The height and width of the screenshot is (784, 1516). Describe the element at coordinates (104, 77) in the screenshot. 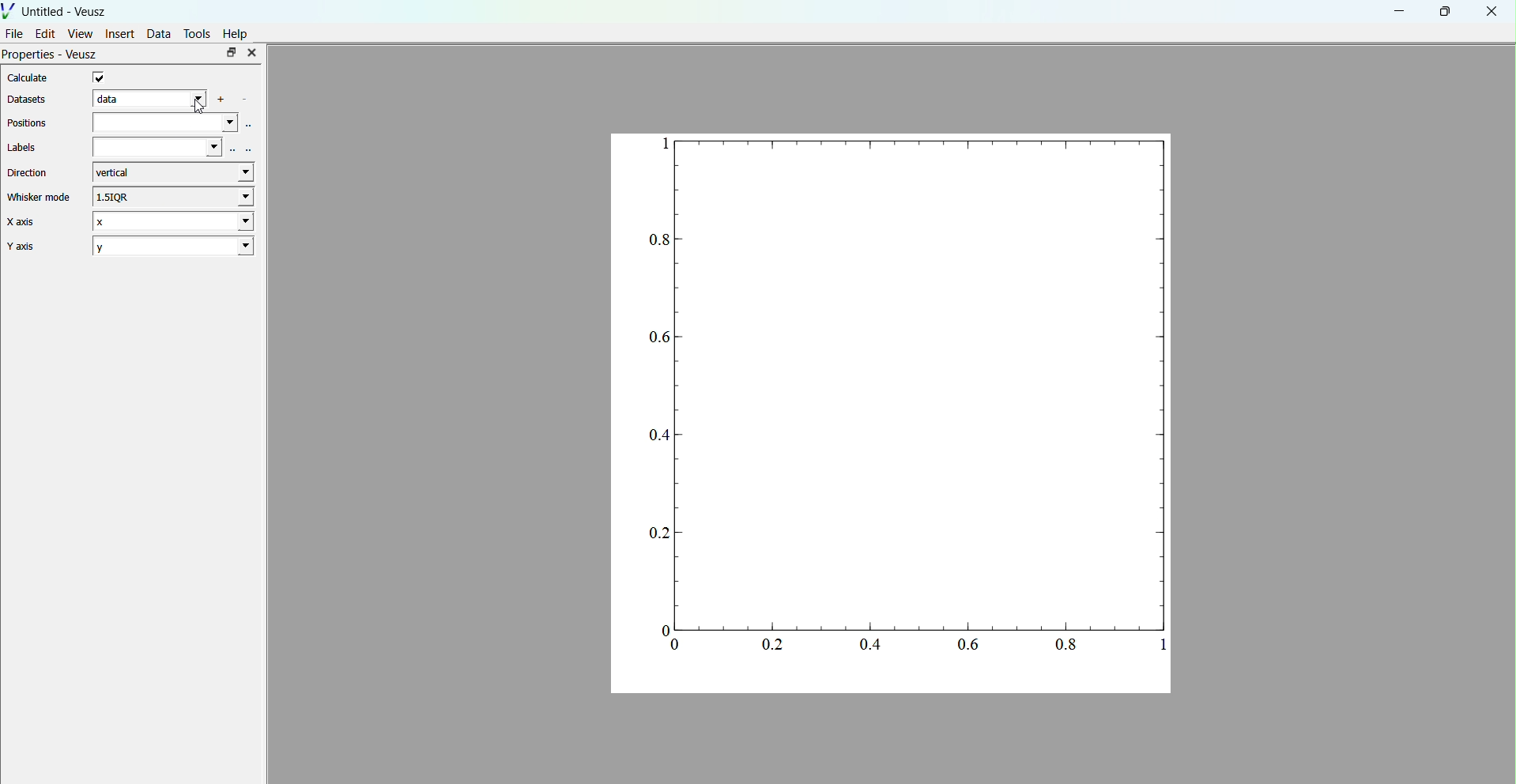

I see `checkbox` at that location.